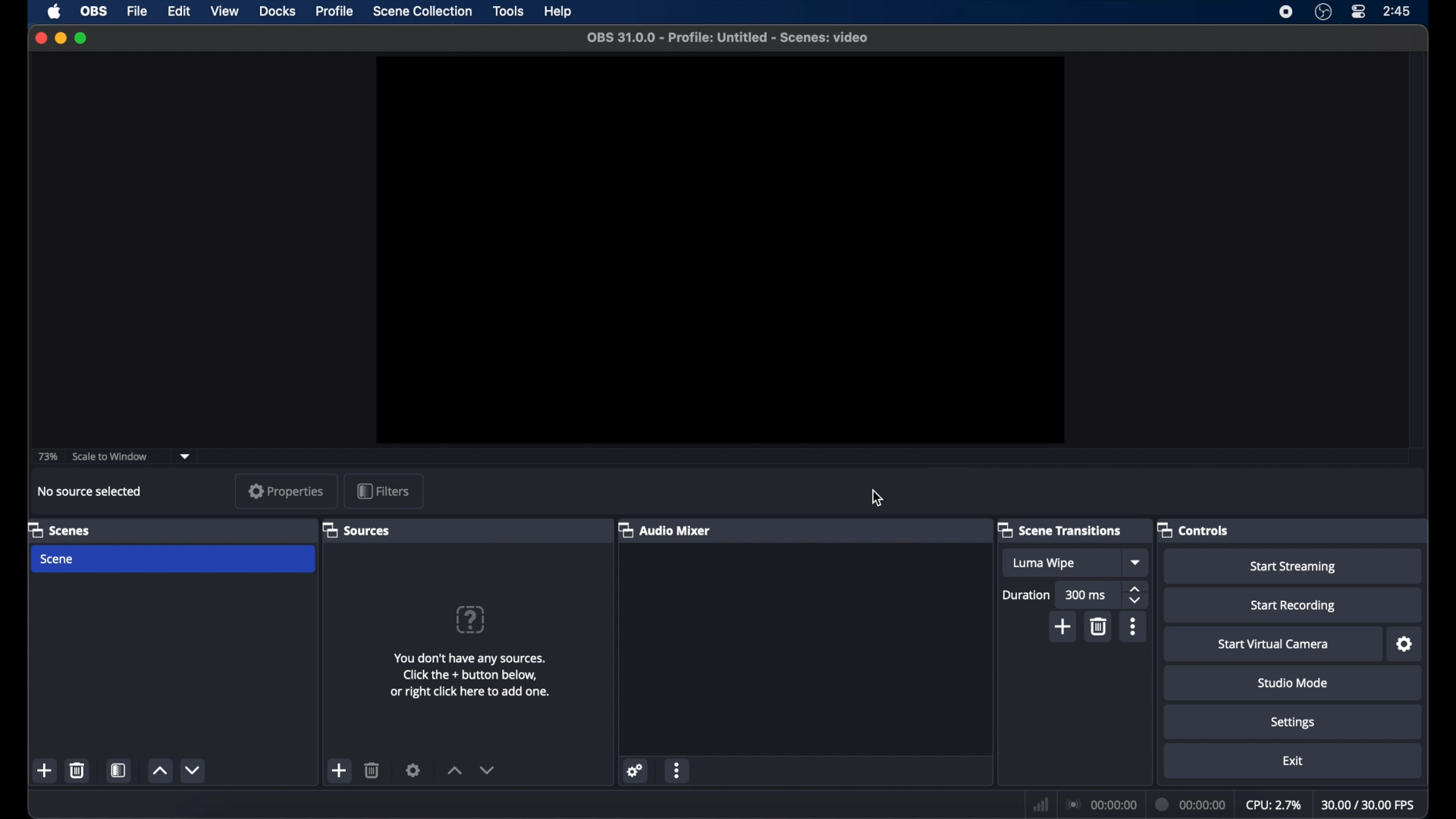  I want to click on dropdown, so click(1137, 562).